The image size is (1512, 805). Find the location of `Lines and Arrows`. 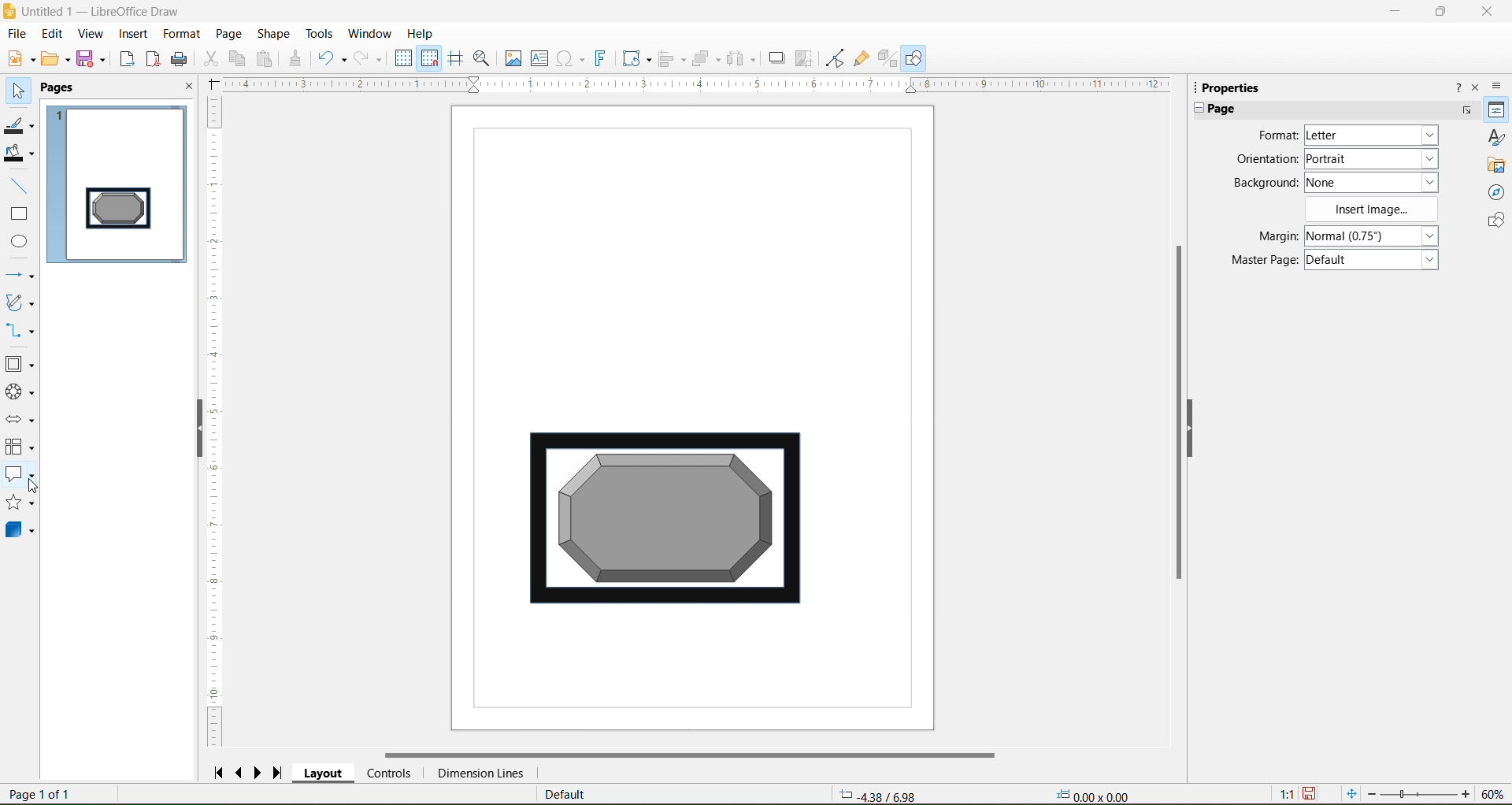

Lines and Arrows is located at coordinates (20, 275).